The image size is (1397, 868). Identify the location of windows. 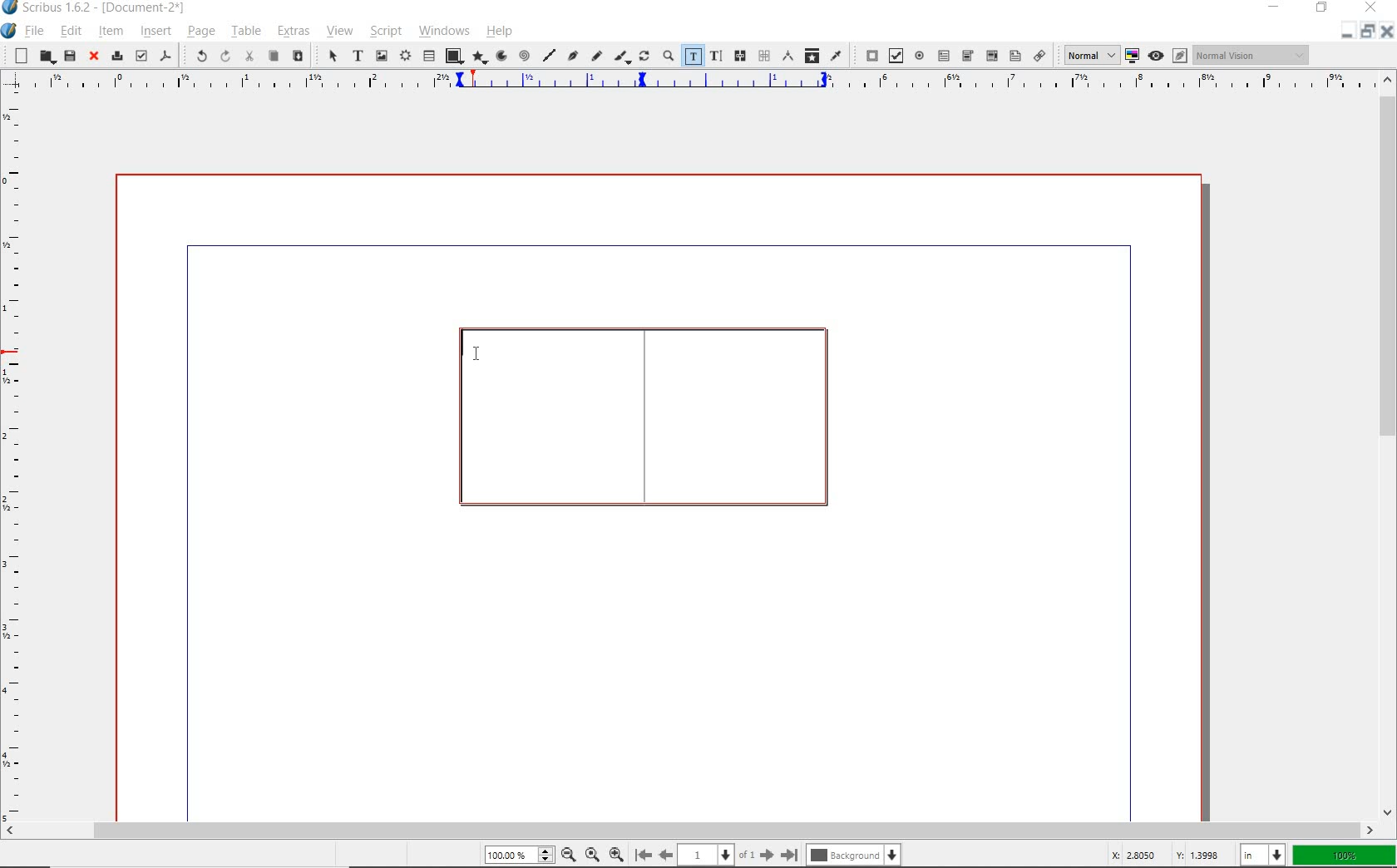
(443, 31).